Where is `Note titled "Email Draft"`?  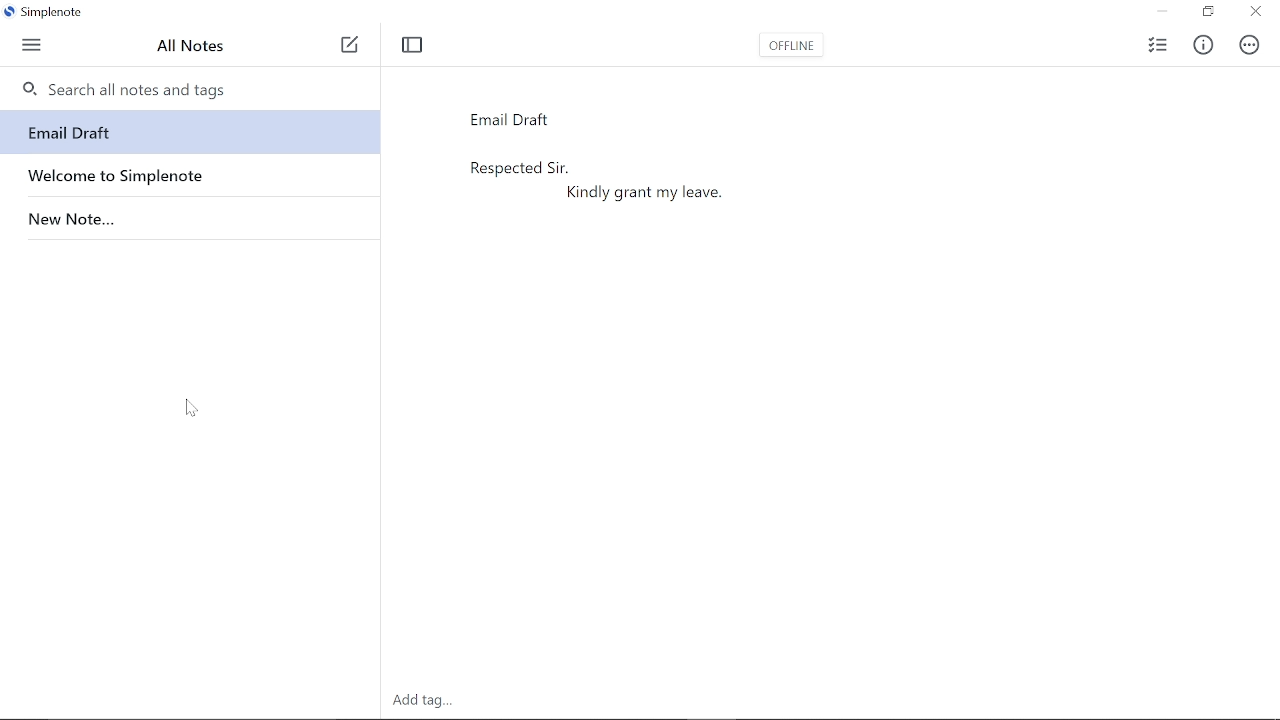
Note titled "Email Draft" is located at coordinates (185, 133).